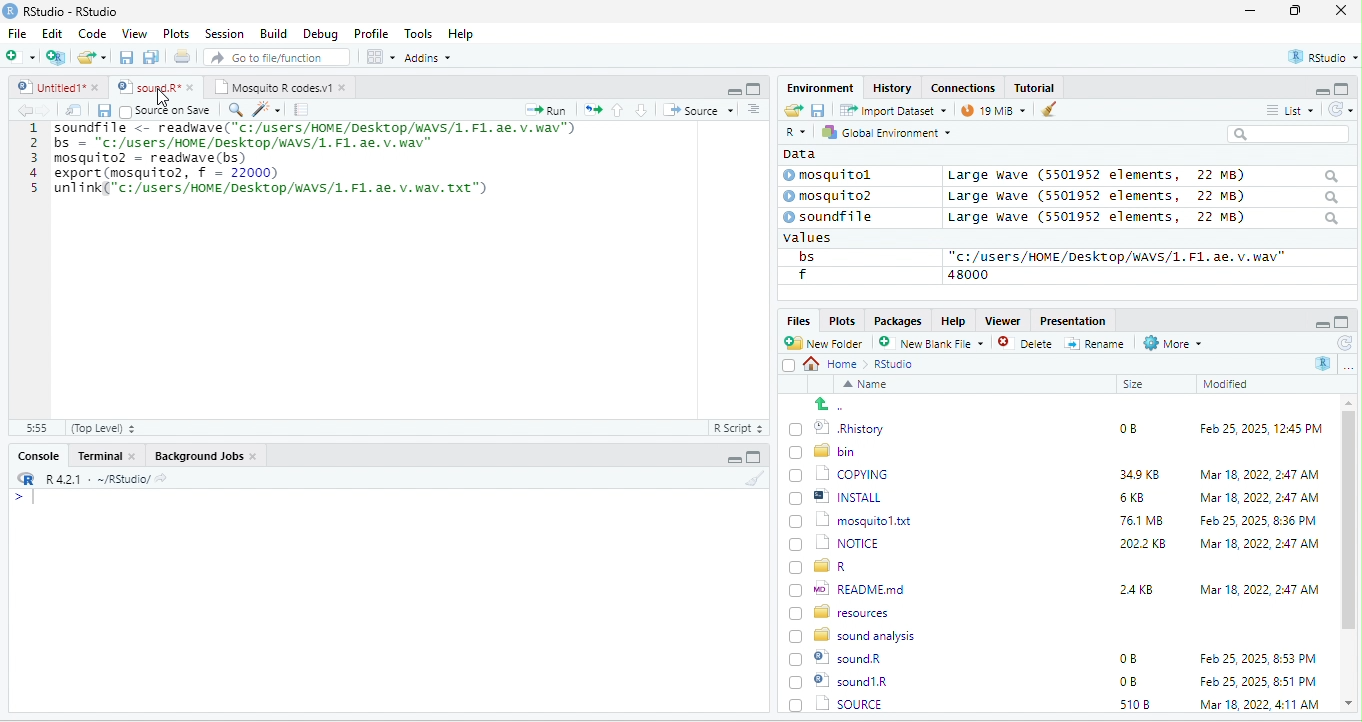  I want to click on refresh, so click(1337, 109).